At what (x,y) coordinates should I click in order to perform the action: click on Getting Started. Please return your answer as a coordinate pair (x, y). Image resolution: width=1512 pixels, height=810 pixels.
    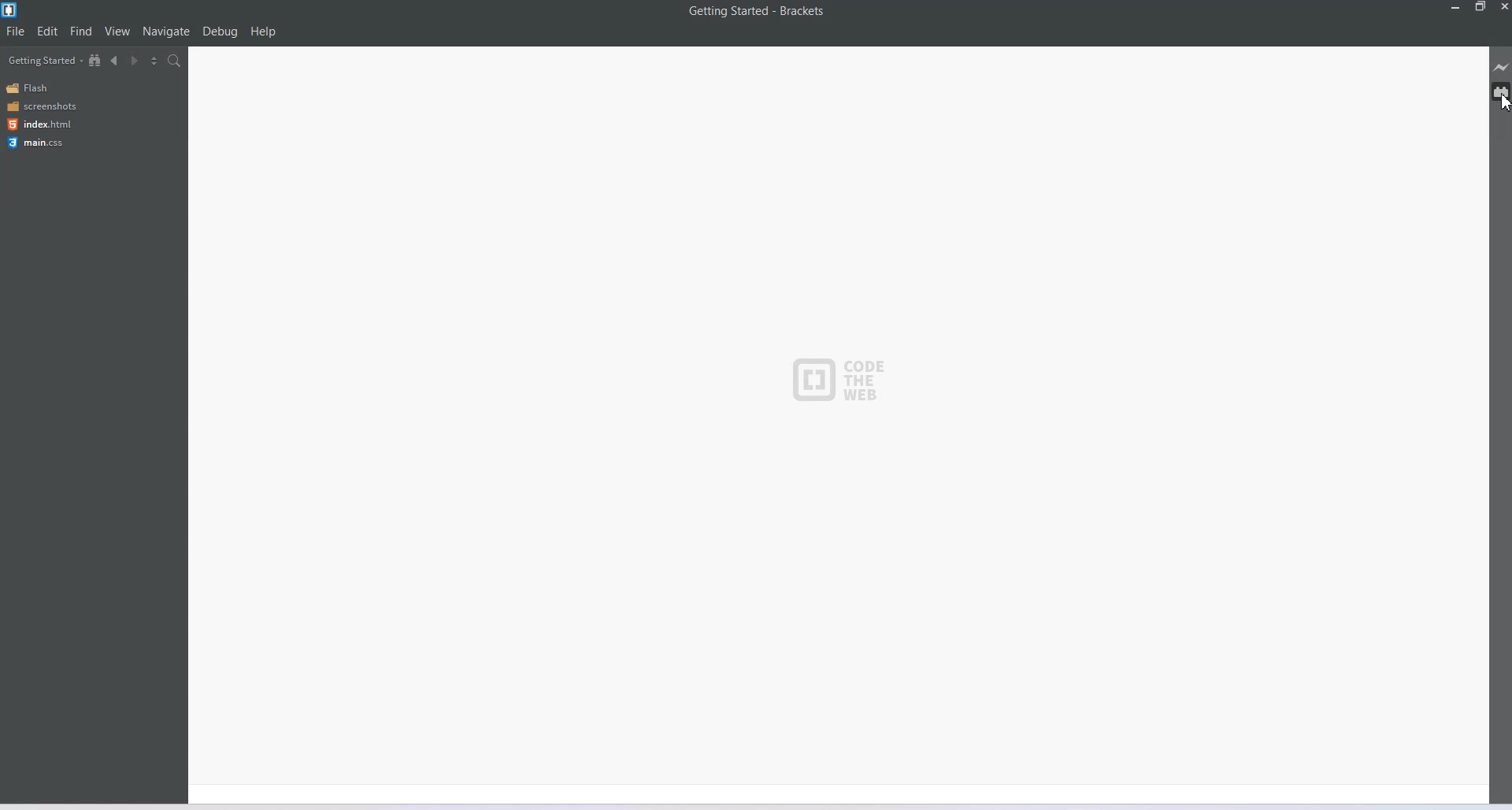
    Looking at the image, I should click on (45, 60).